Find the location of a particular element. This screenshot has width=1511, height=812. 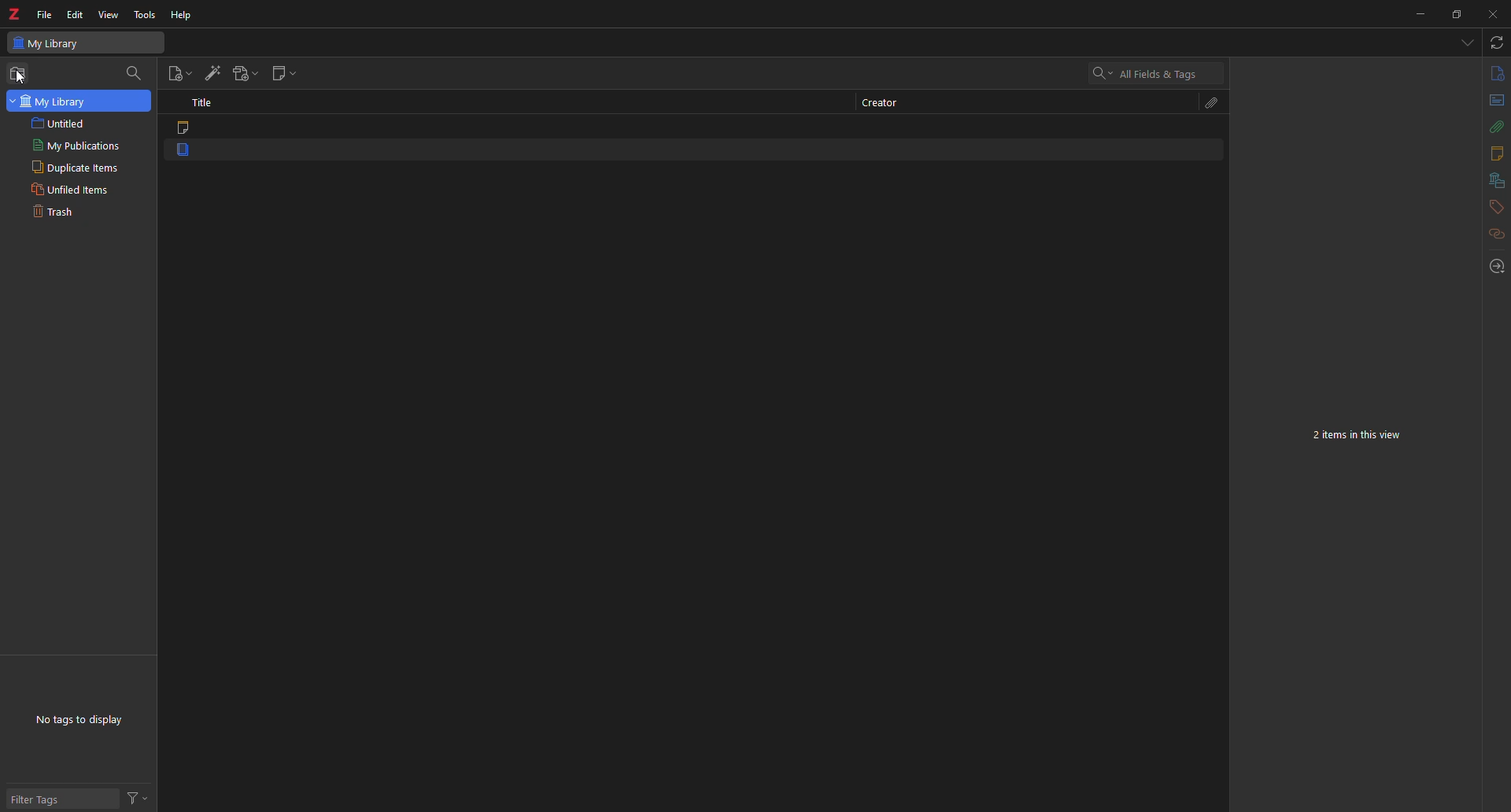

title is located at coordinates (205, 101).